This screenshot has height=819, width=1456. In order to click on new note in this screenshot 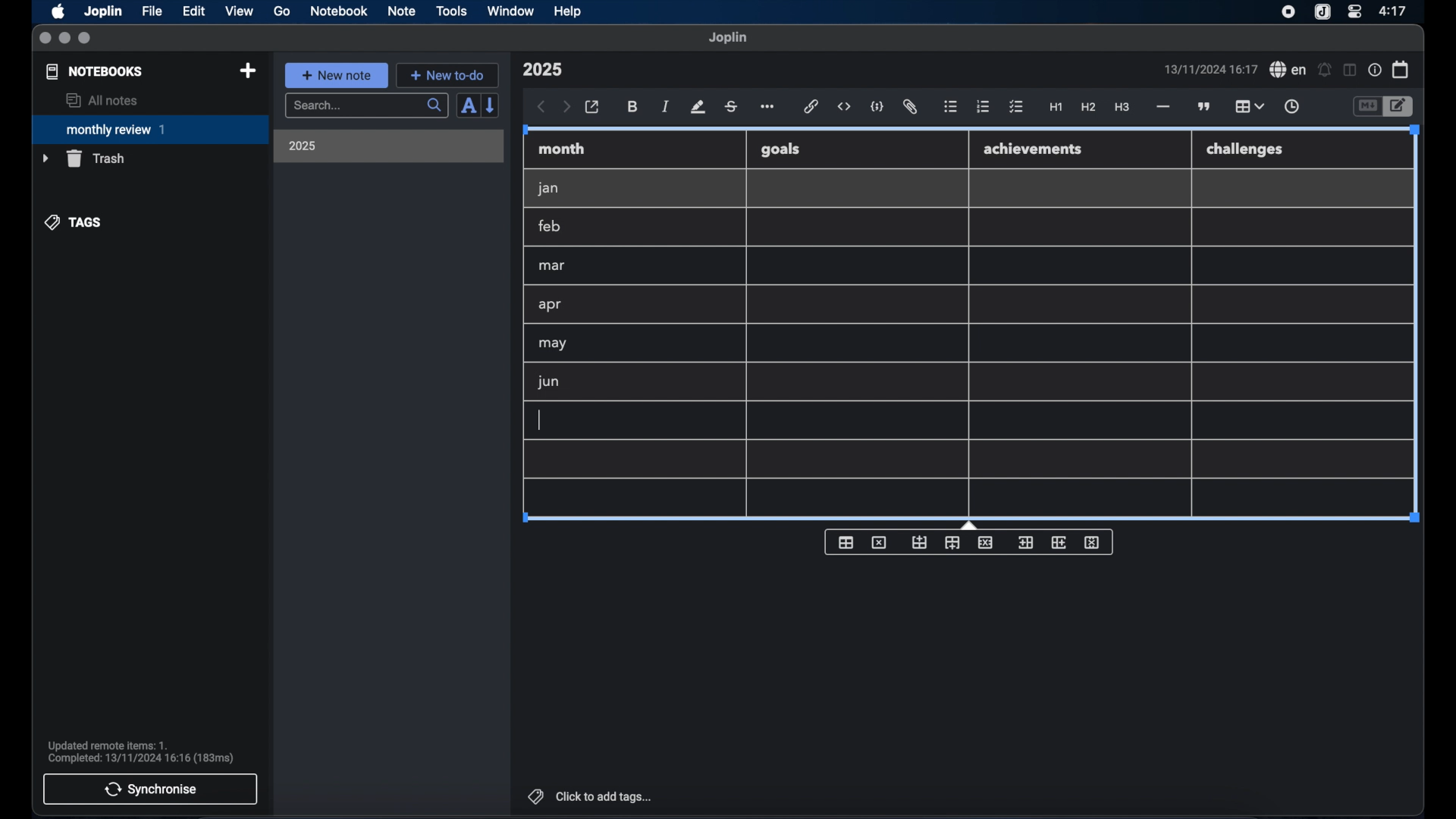, I will do `click(336, 75)`.